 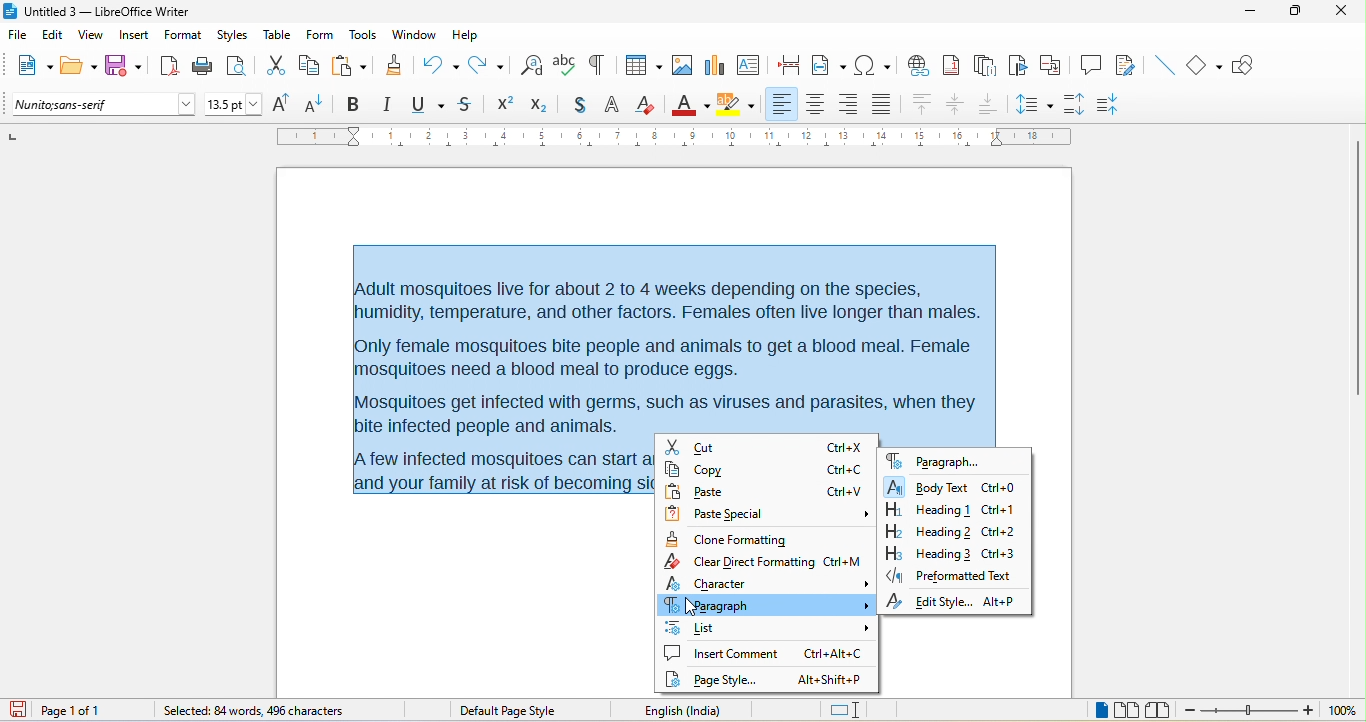 I want to click on cut, so click(x=276, y=67).